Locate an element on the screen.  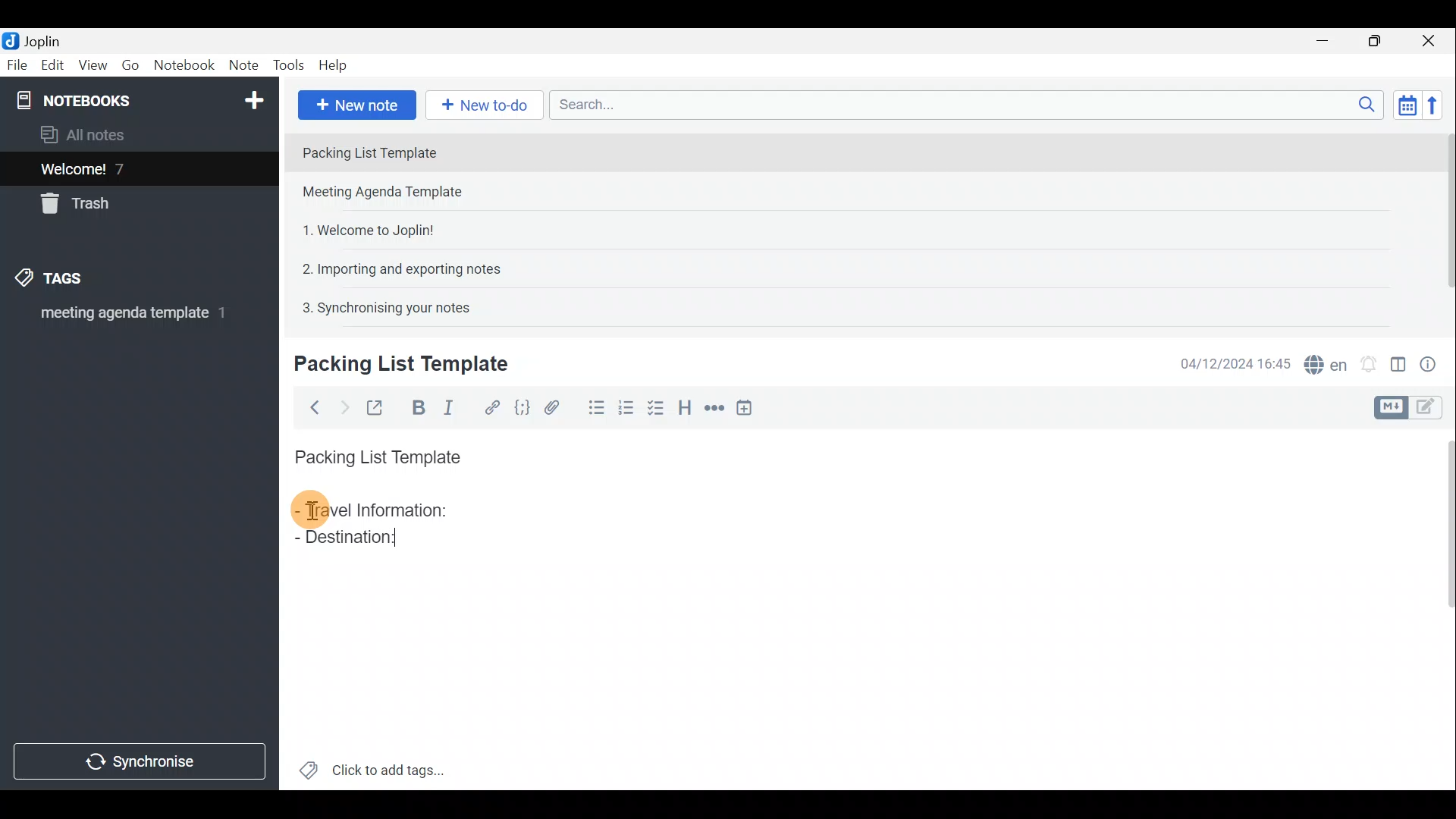
Destination: is located at coordinates (356, 540).